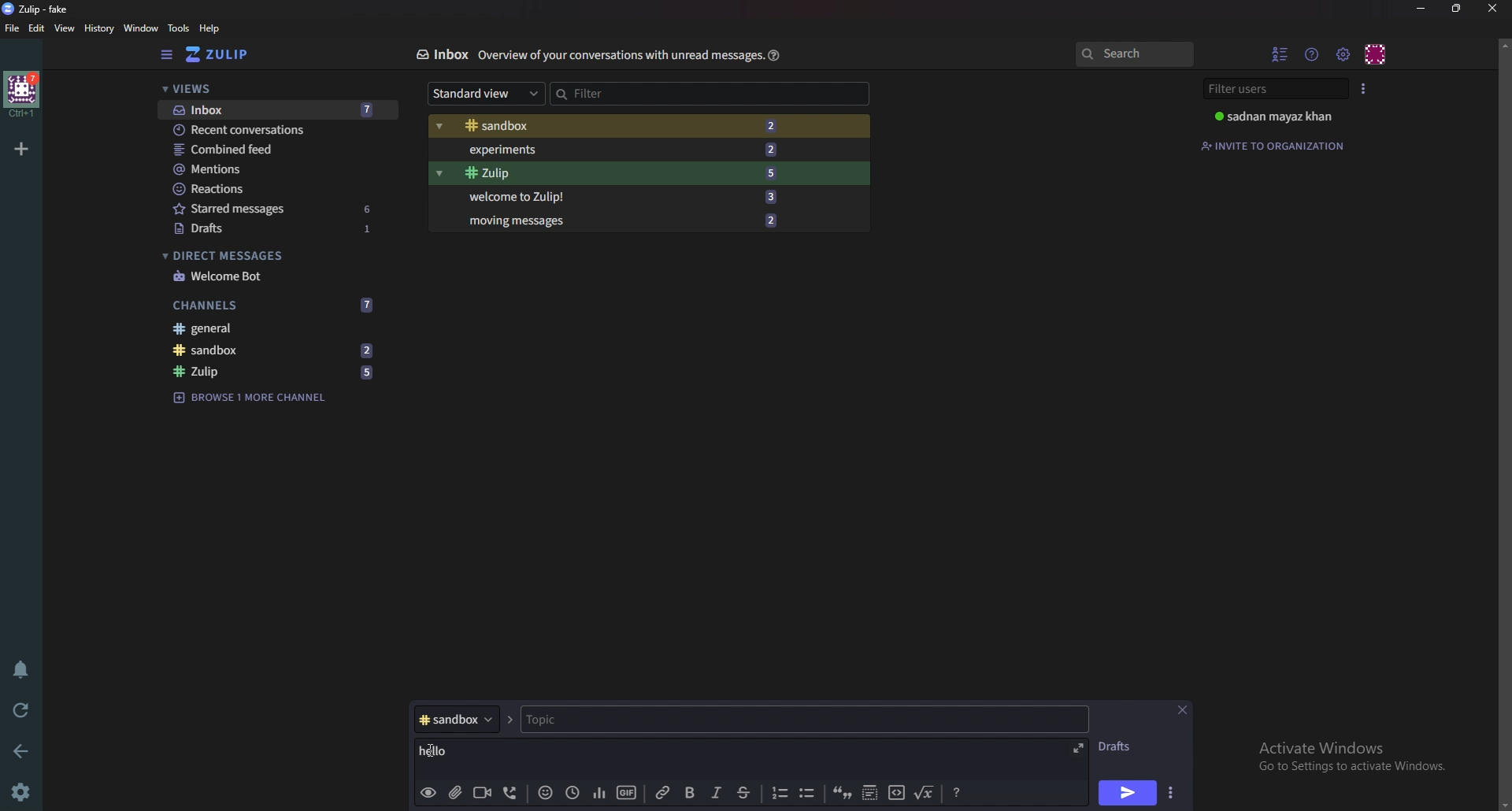  Describe the element at coordinates (1118, 747) in the screenshot. I see `DRAFTS` at that location.